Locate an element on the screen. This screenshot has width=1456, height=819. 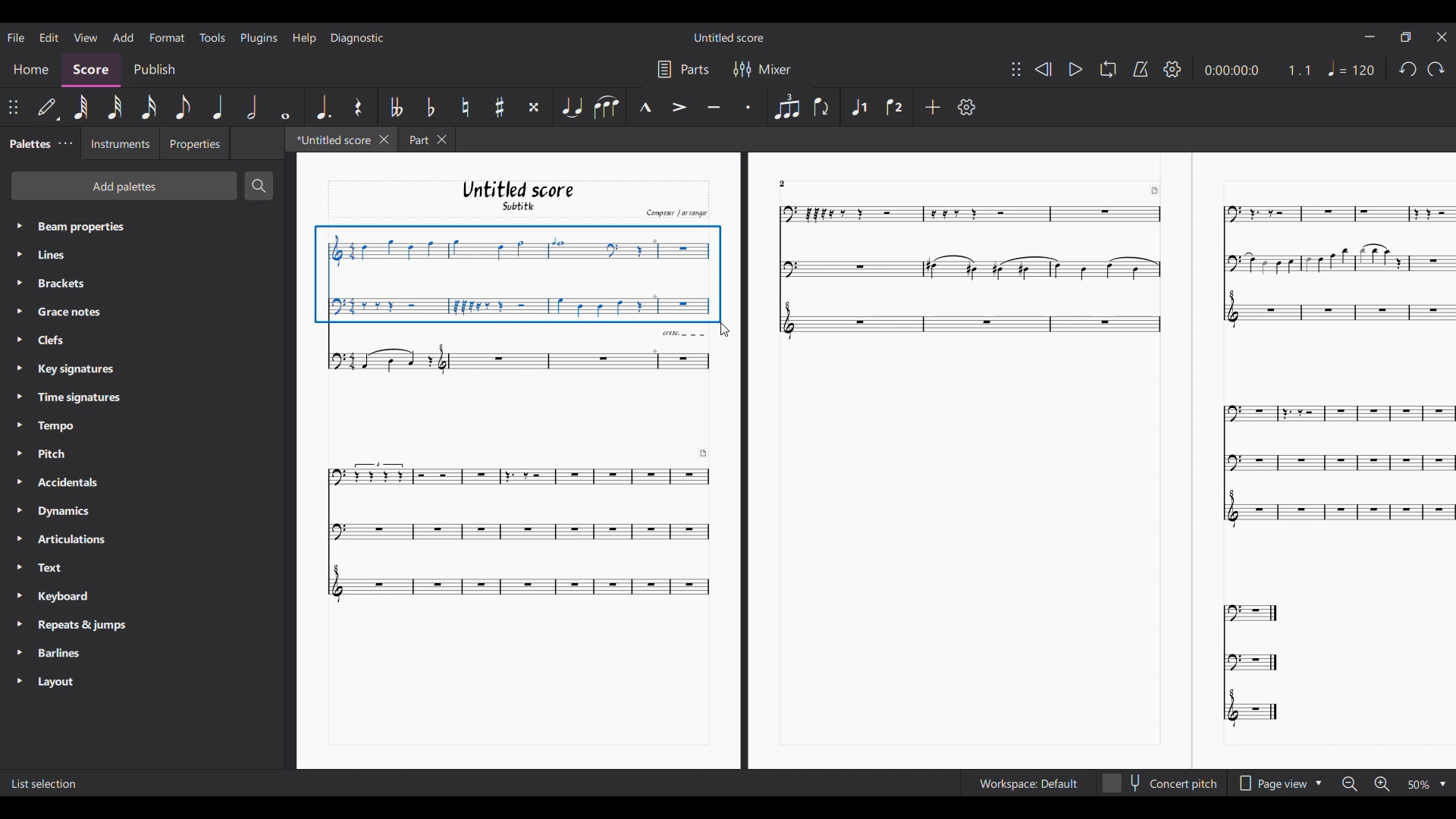
Beam properties is located at coordinates (118, 226).